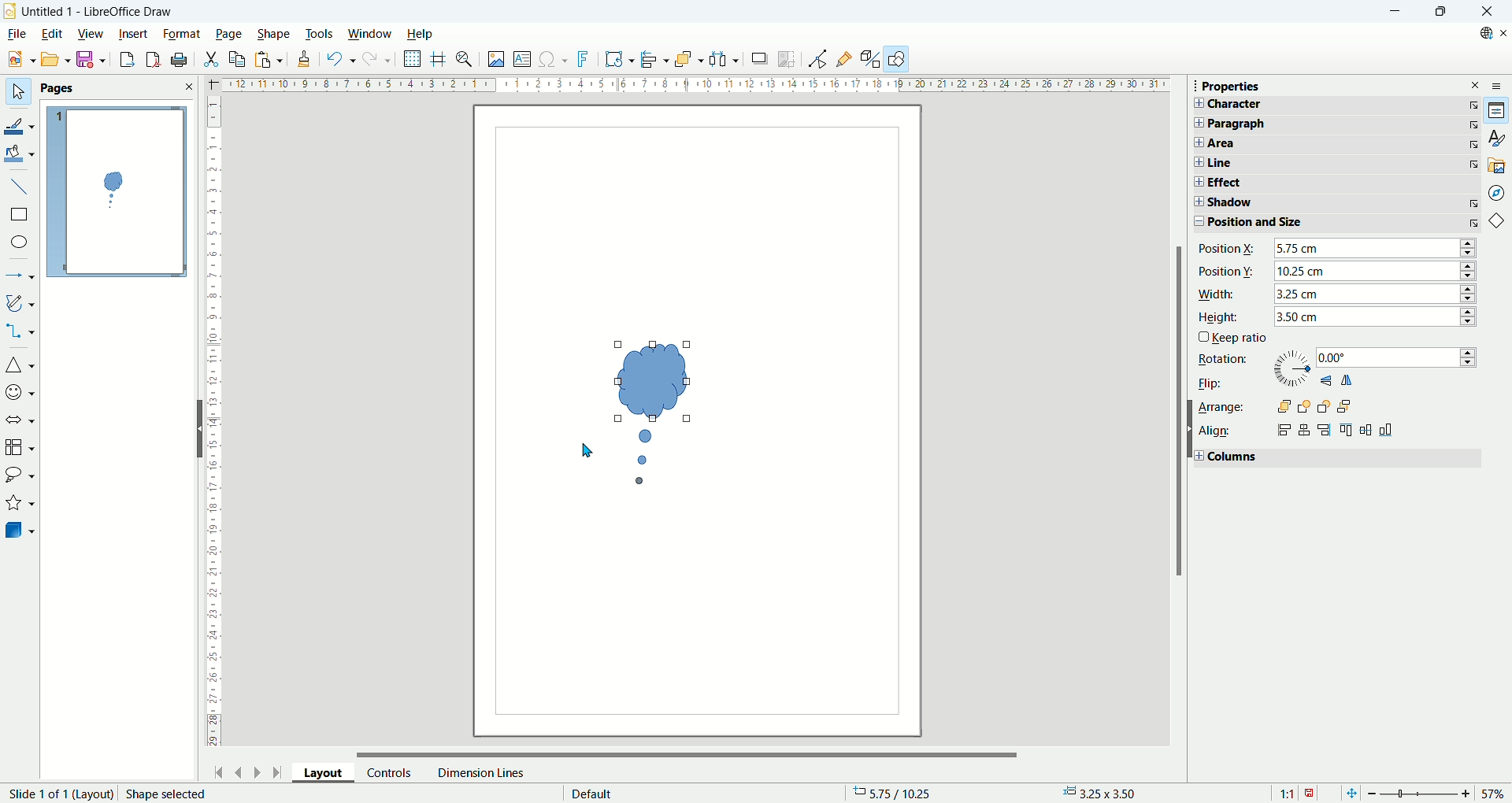 This screenshot has height=803, width=1512. I want to click on basic shapes, so click(1499, 223).